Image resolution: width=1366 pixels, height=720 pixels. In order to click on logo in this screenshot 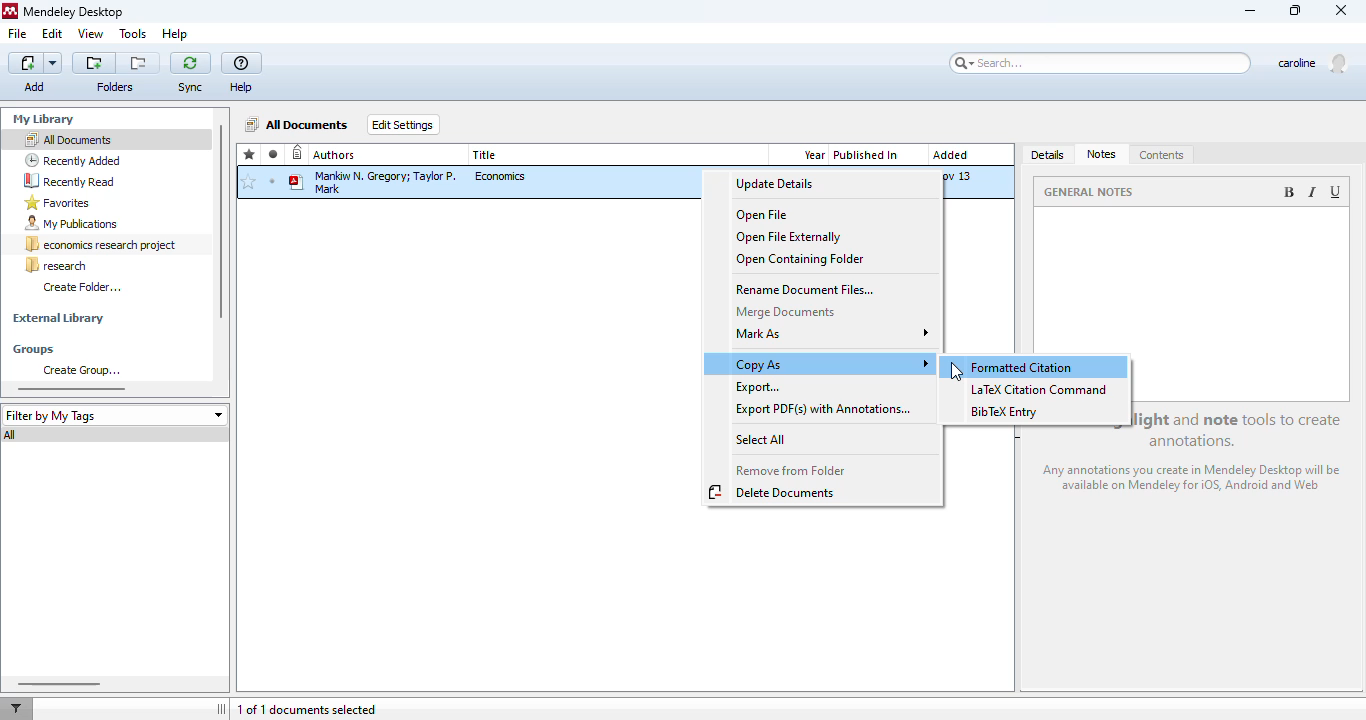, I will do `click(10, 11)`.